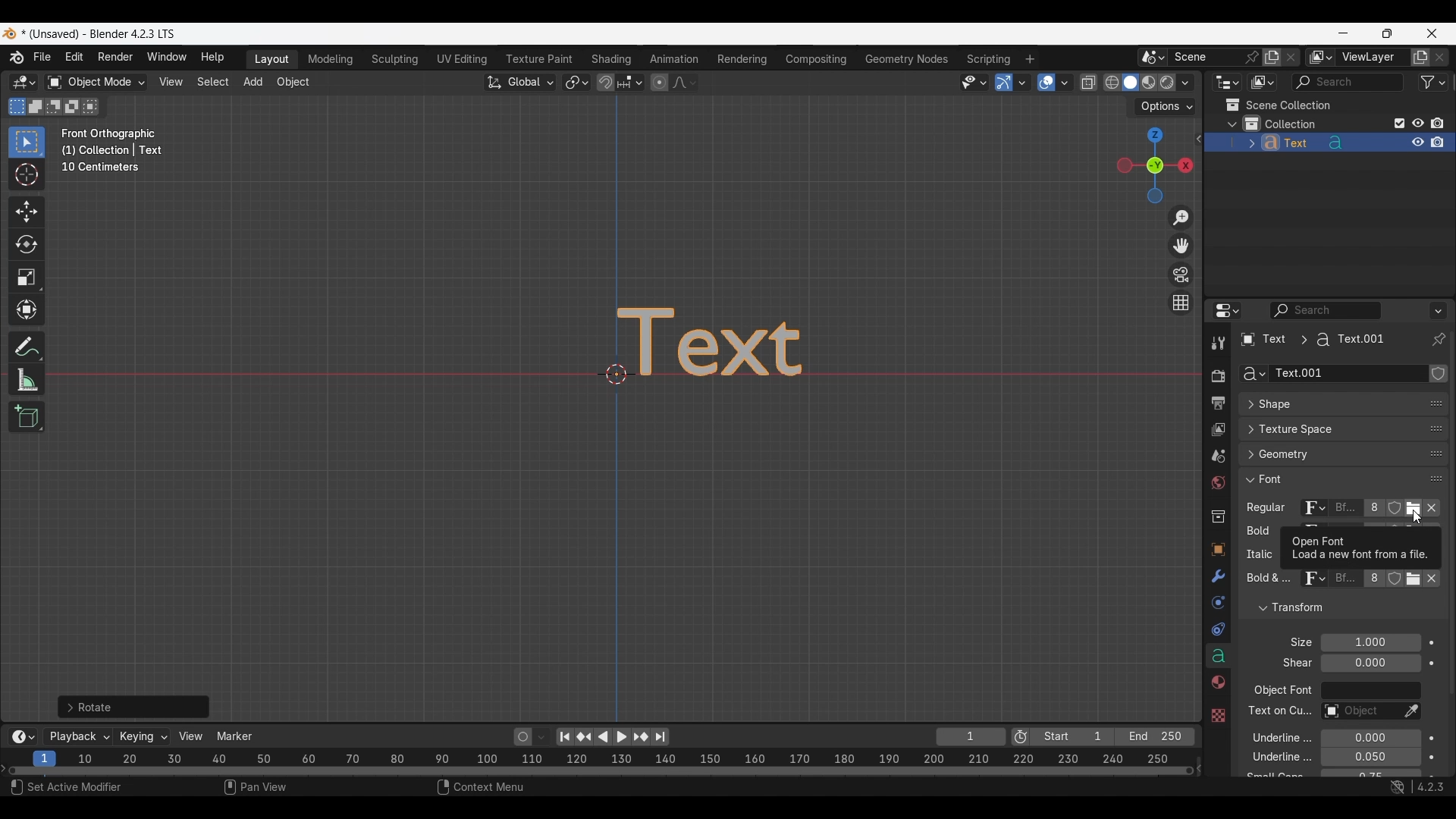 The image size is (1456, 819). I want to click on Snap during transform, so click(606, 82).